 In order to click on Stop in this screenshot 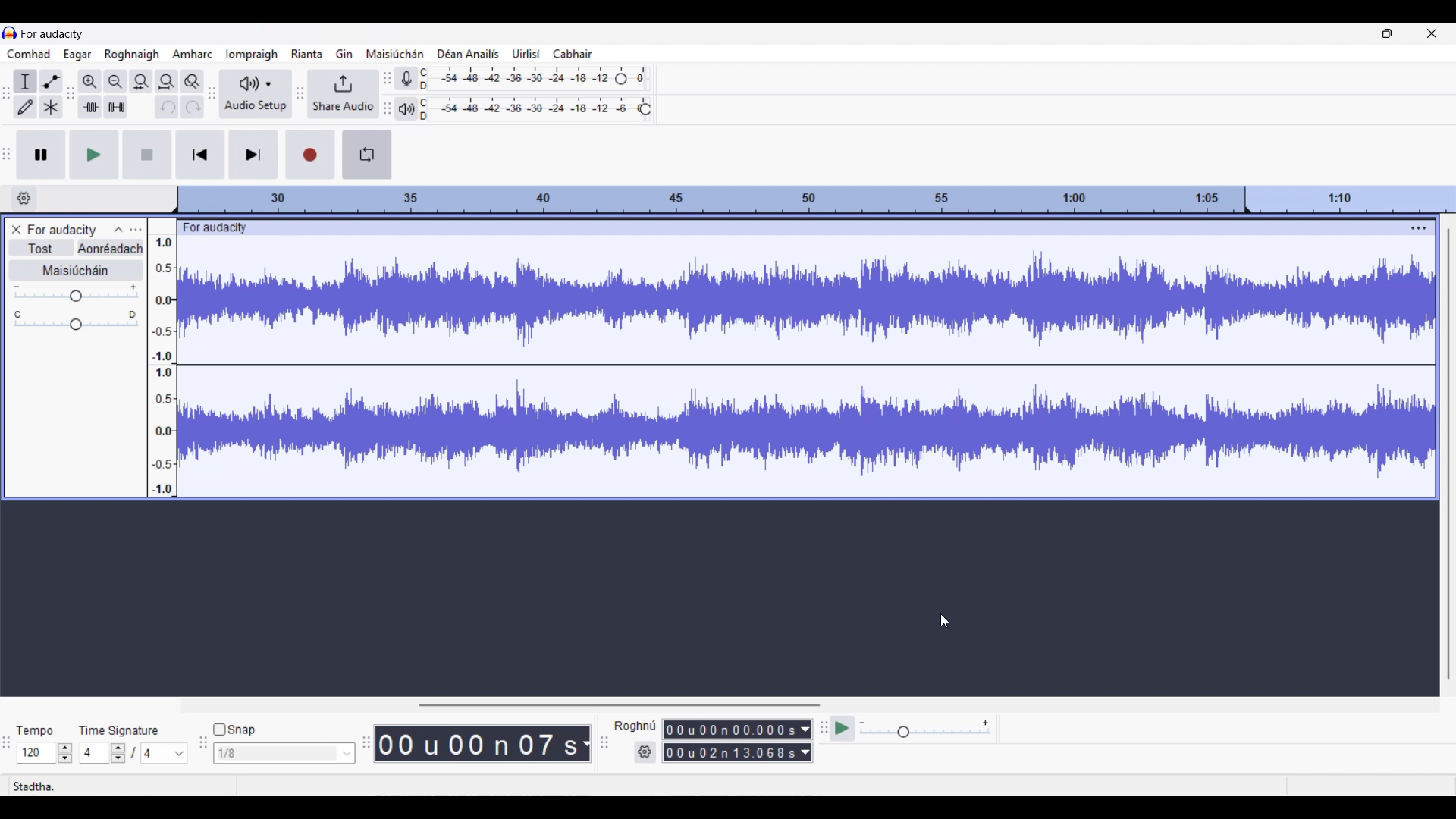, I will do `click(149, 155)`.